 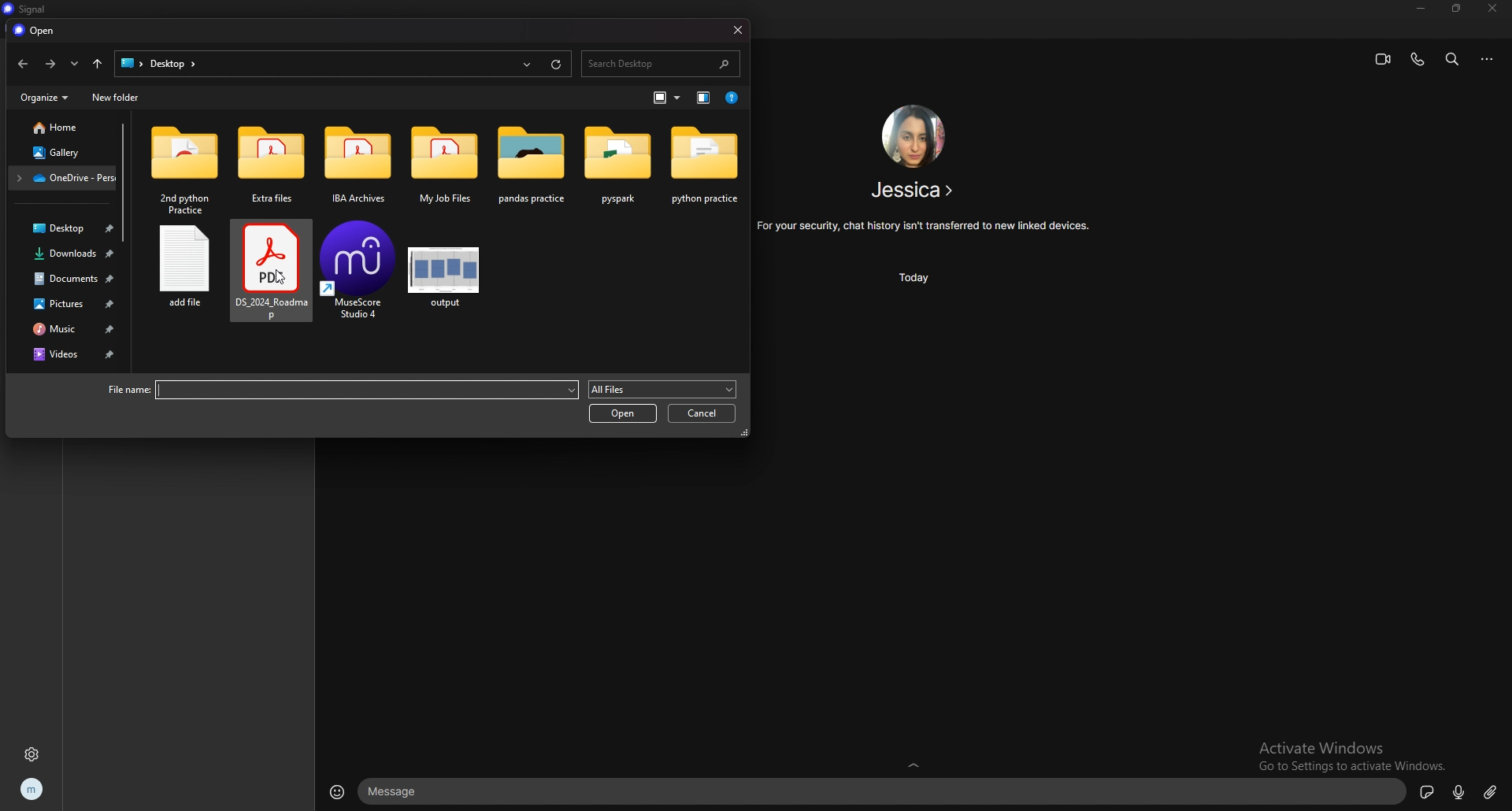 I want to click on videos, so click(x=67, y=354).